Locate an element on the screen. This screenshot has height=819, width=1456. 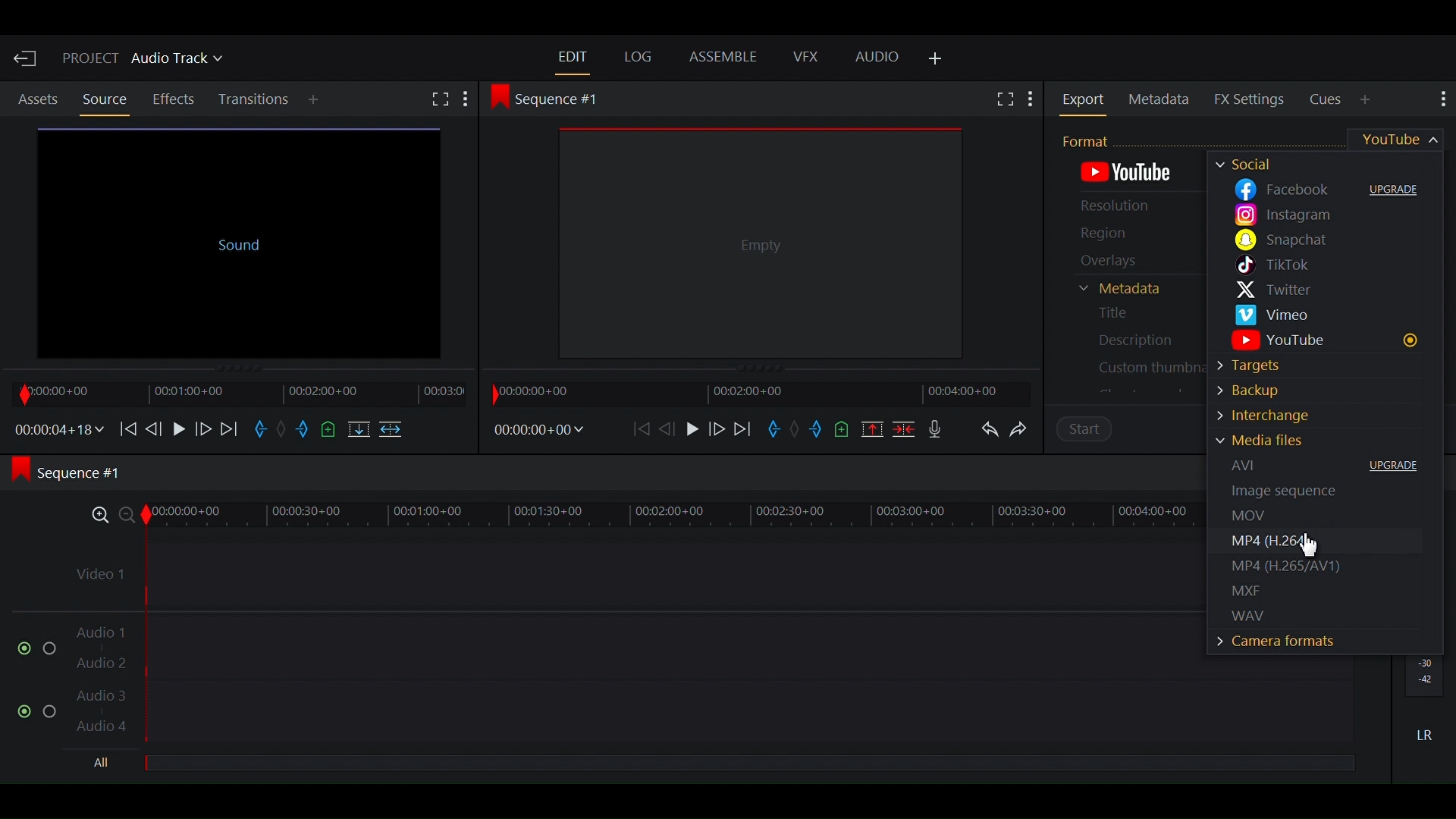
Source Clip is located at coordinates (236, 240).